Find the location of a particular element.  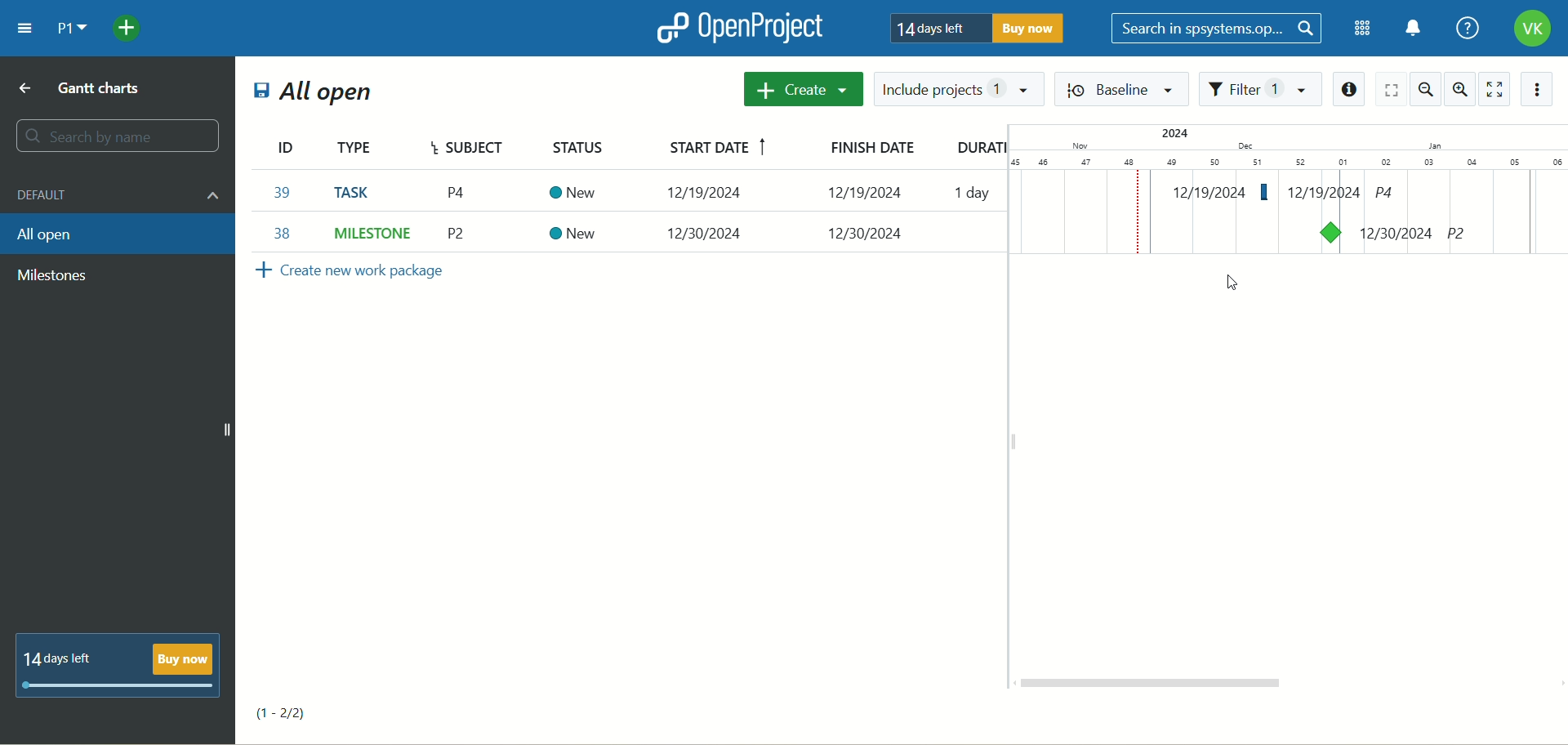

New is located at coordinates (574, 231).